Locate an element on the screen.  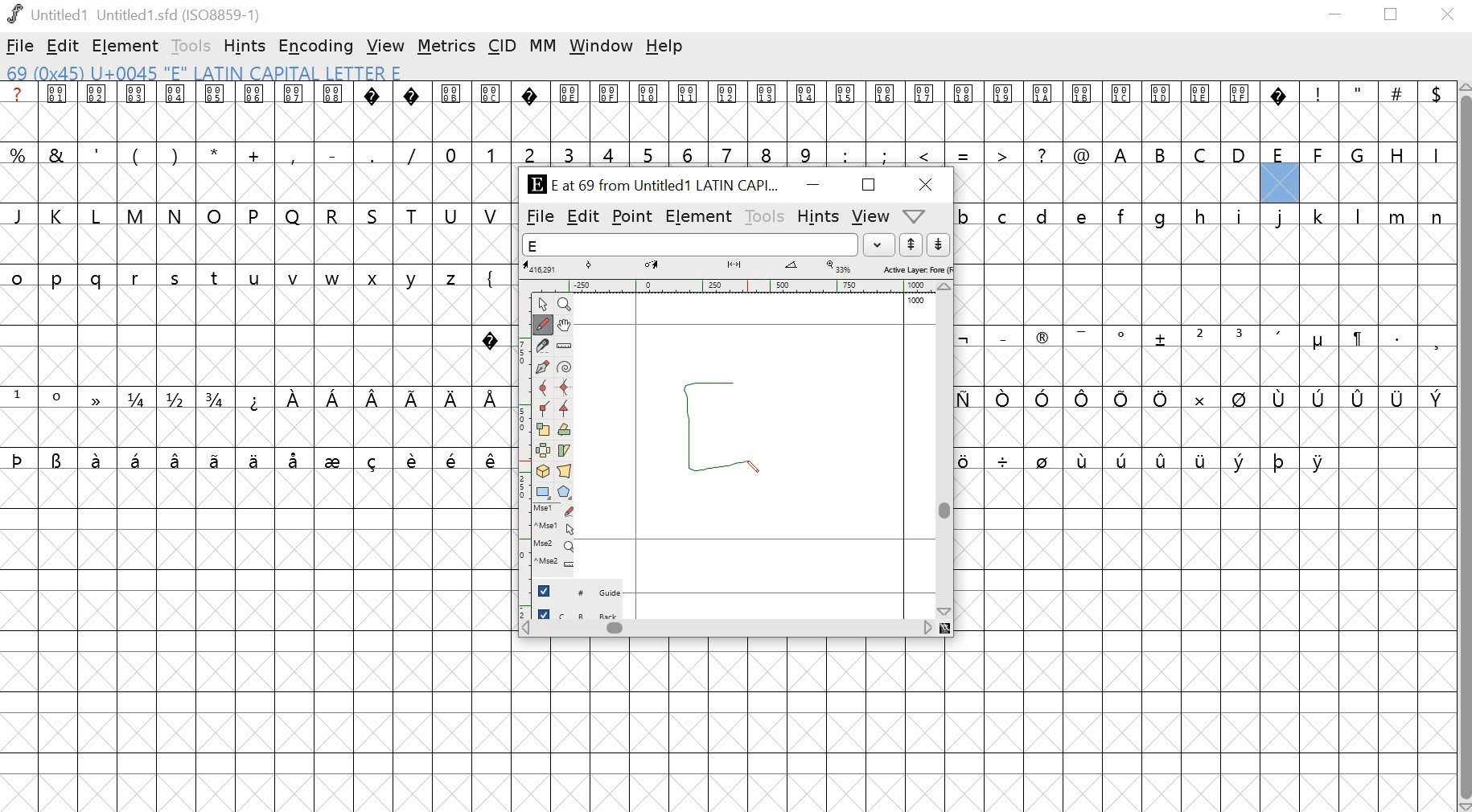
edit is located at coordinates (583, 218).